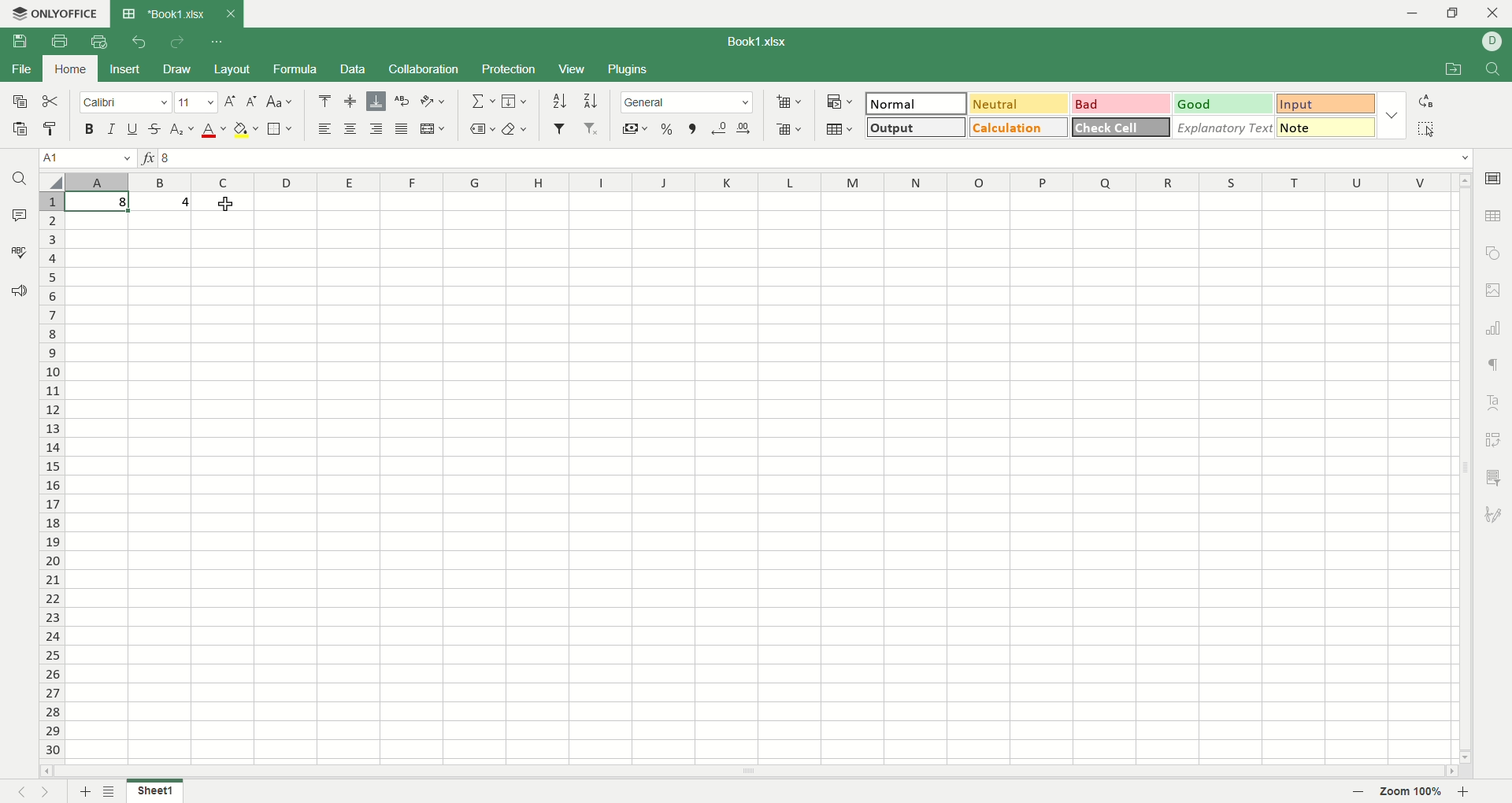  Describe the element at coordinates (1495, 288) in the screenshot. I see `image settings` at that location.